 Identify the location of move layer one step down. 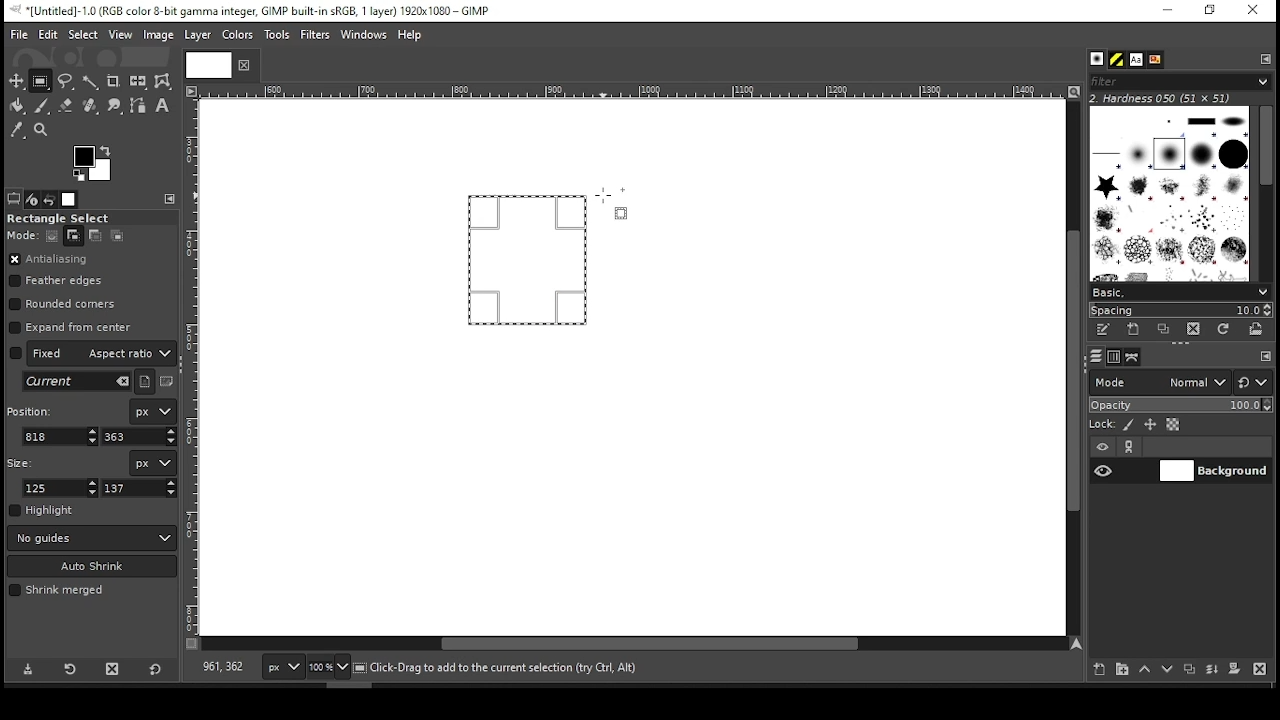
(1168, 671).